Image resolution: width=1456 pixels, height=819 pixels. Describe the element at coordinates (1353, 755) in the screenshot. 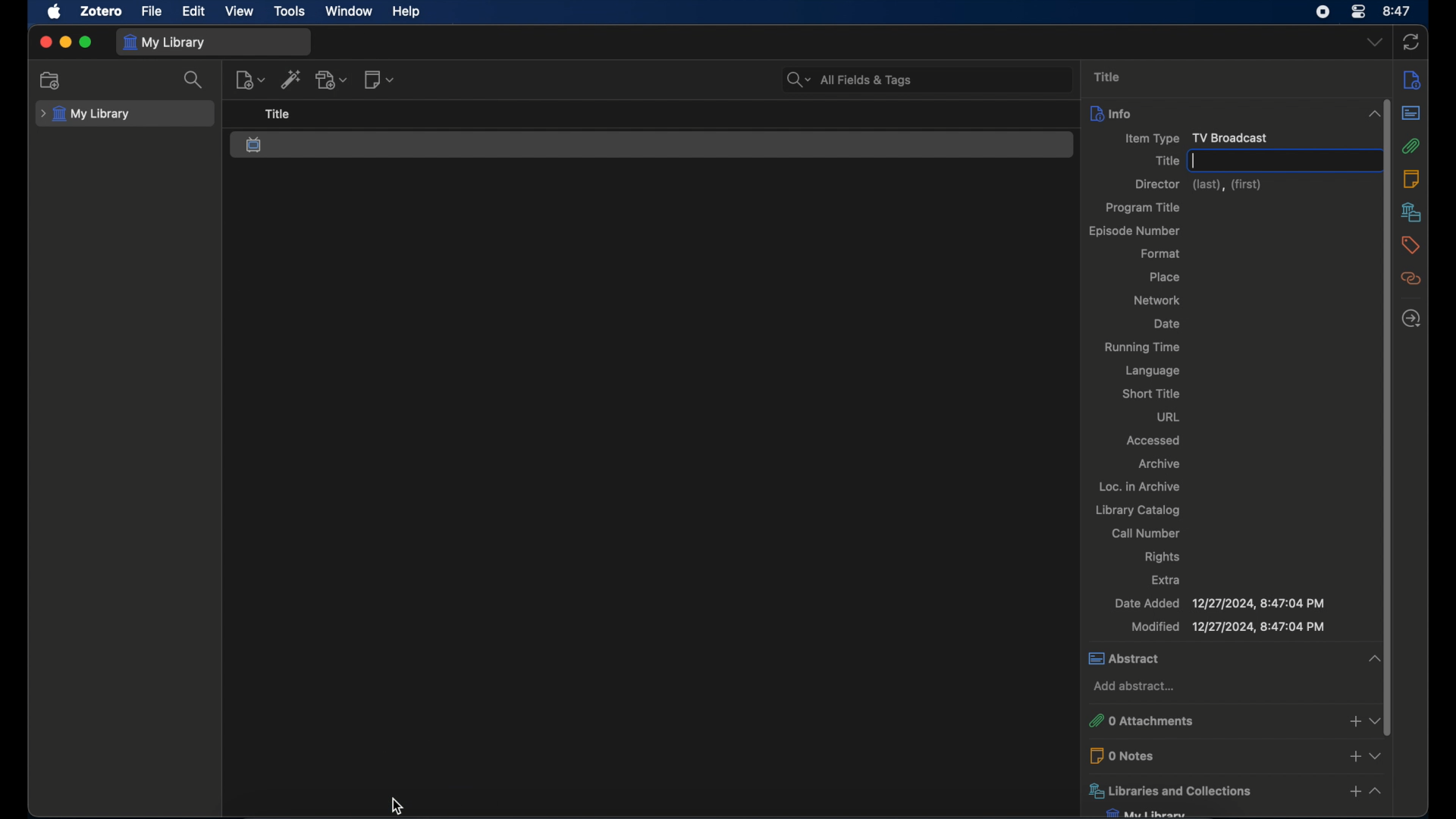

I see `add notes` at that location.